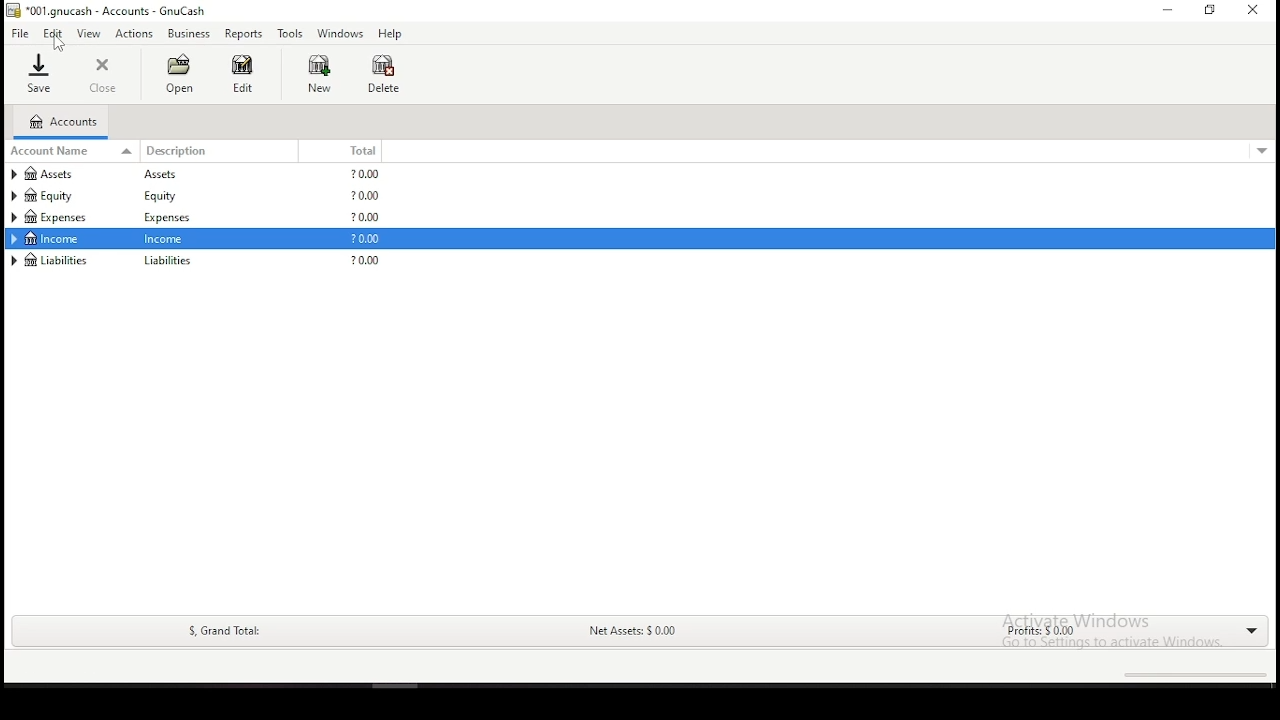 This screenshot has width=1280, height=720. What do you see at coordinates (105, 75) in the screenshot?
I see `close` at bounding box center [105, 75].